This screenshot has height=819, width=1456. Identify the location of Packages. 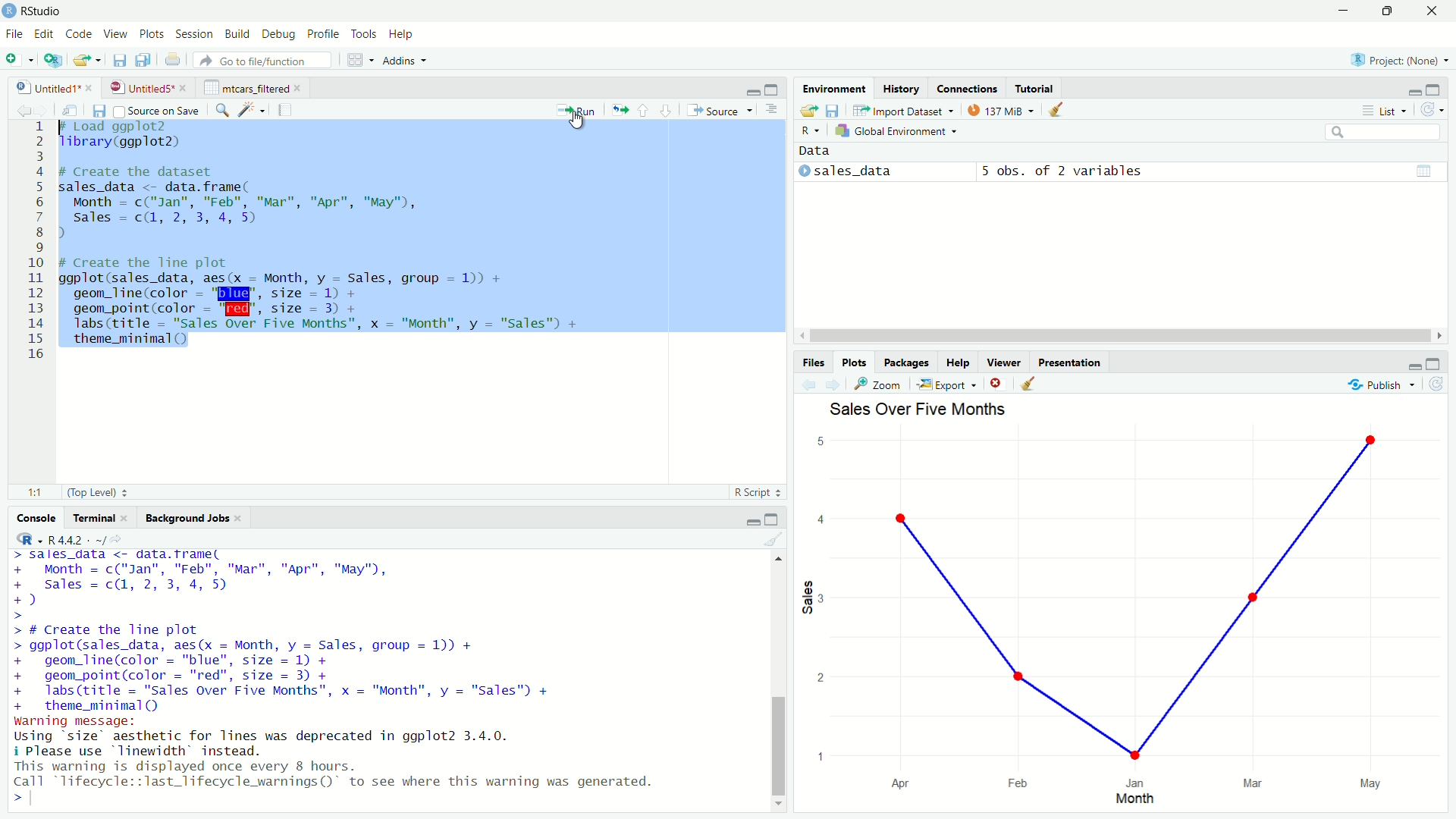
(907, 362).